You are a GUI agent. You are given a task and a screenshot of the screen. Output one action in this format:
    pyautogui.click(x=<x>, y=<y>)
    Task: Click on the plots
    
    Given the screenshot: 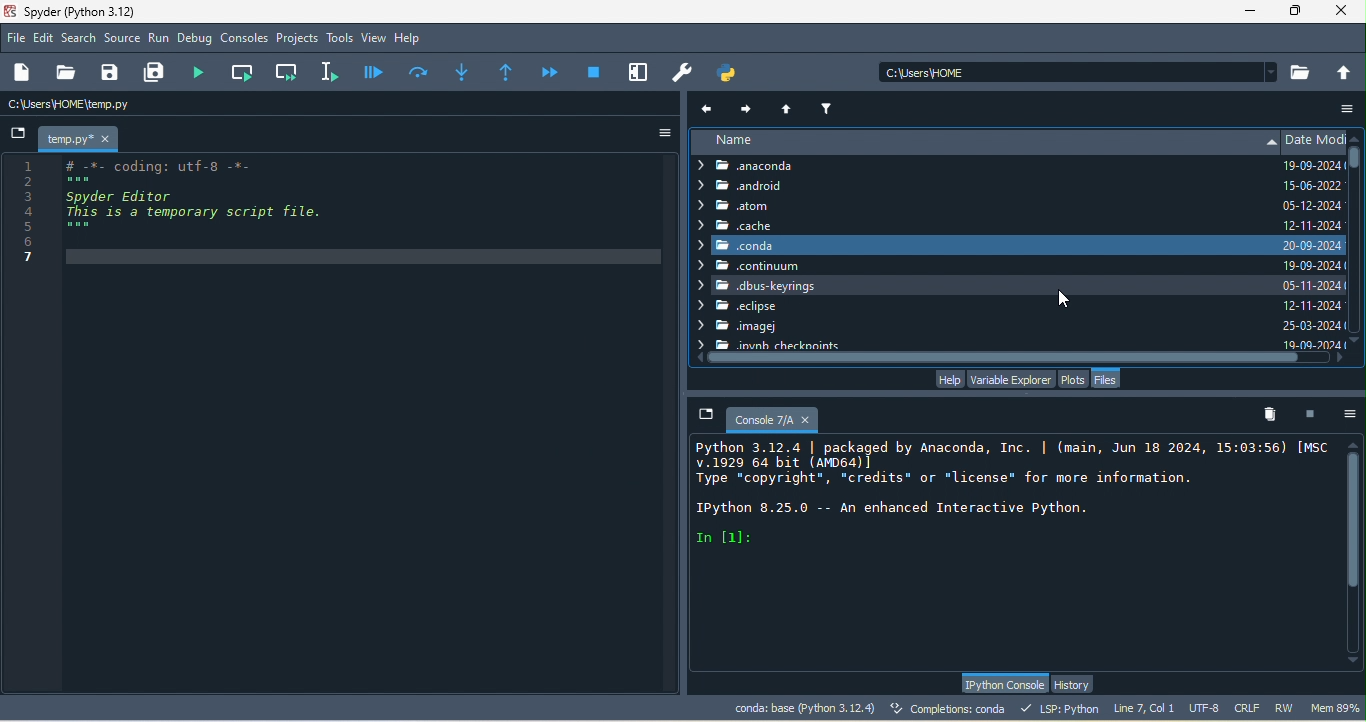 What is the action you would take?
    pyautogui.click(x=1074, y=378)
    